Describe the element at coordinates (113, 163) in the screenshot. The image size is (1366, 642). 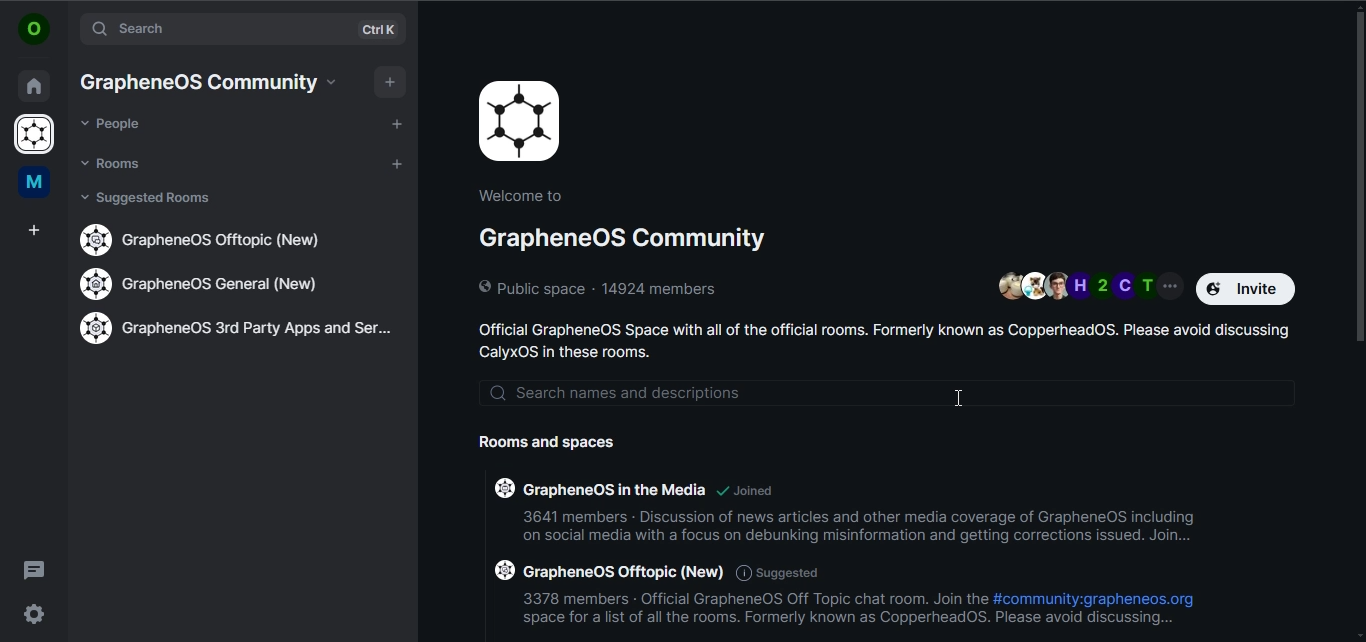
I see `rooms` at that location.